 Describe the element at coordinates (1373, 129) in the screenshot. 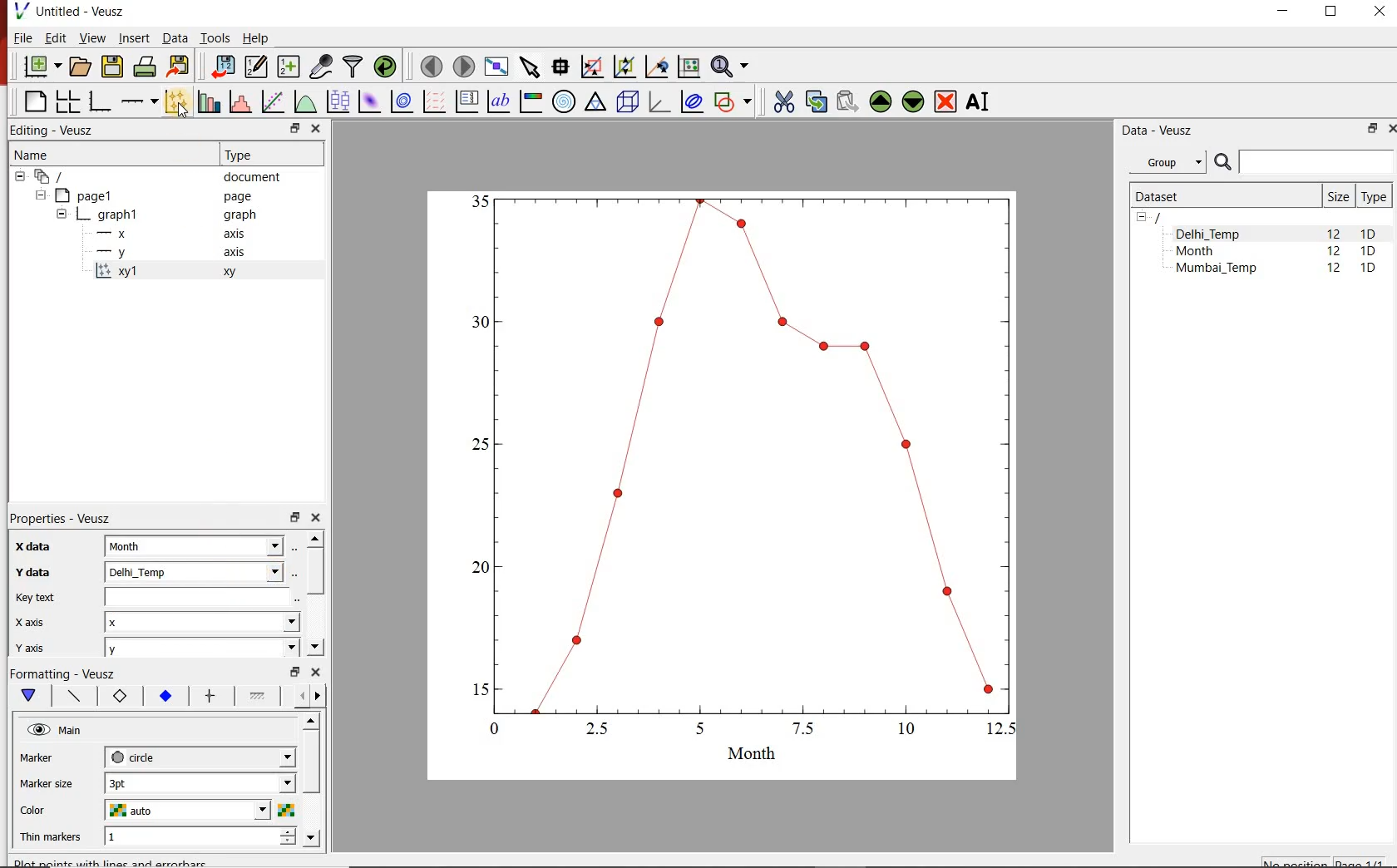

I see `RESTORE` at that location.